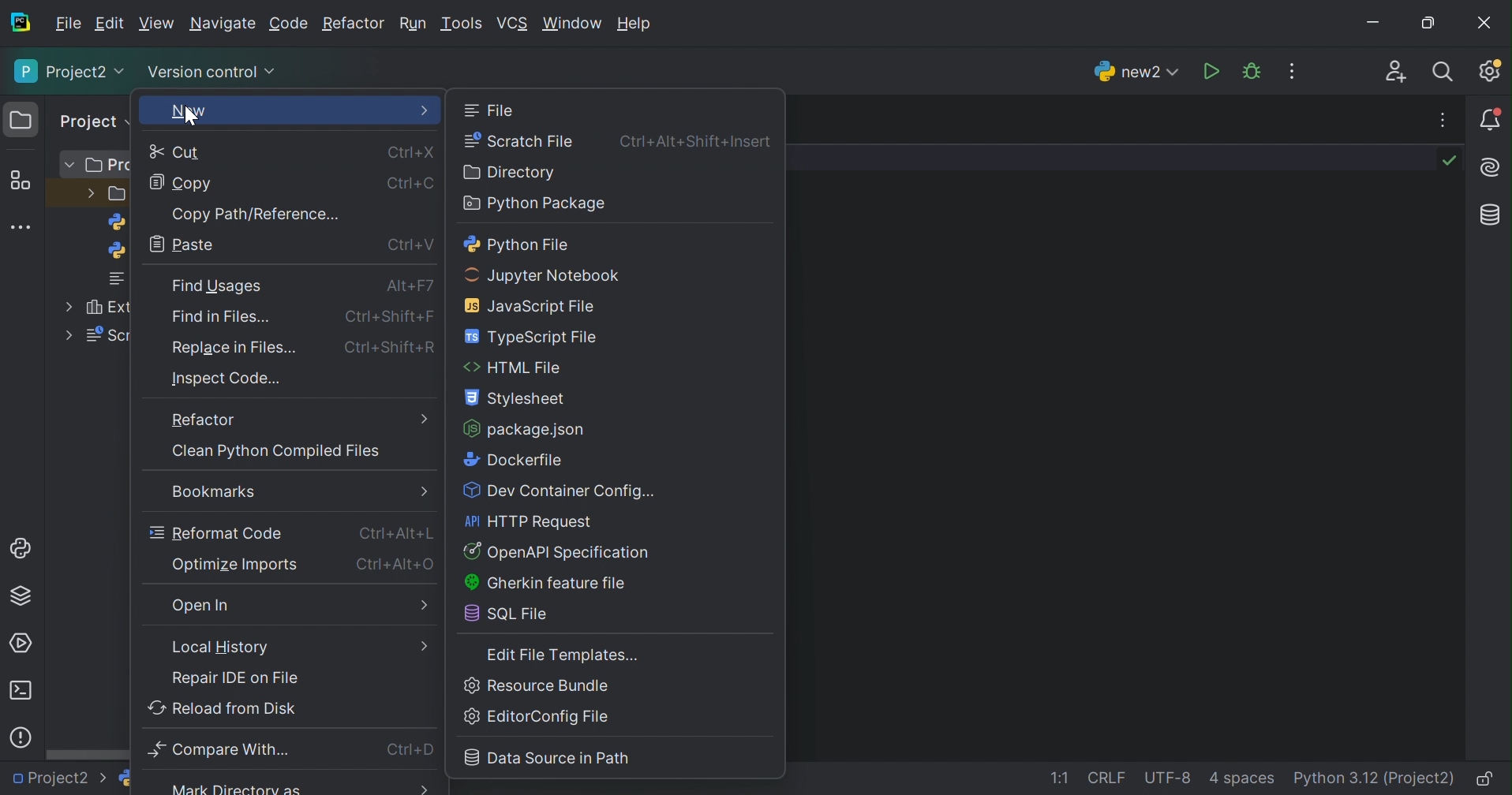  What do you see at coordinates (24, 599) in the screenshot?
I see `Python Packages` at bounding box center [24, 599].